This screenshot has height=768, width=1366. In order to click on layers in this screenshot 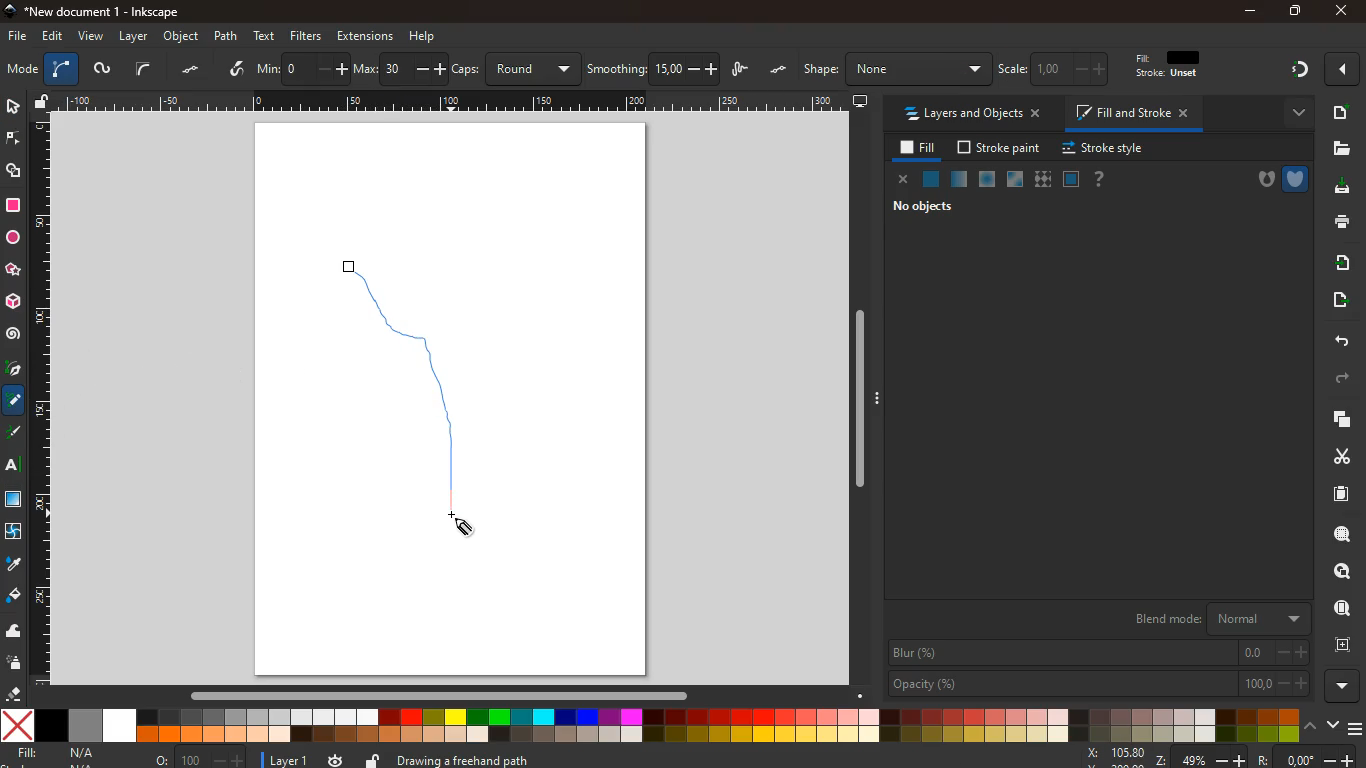, I will do `click(66, 68)`.